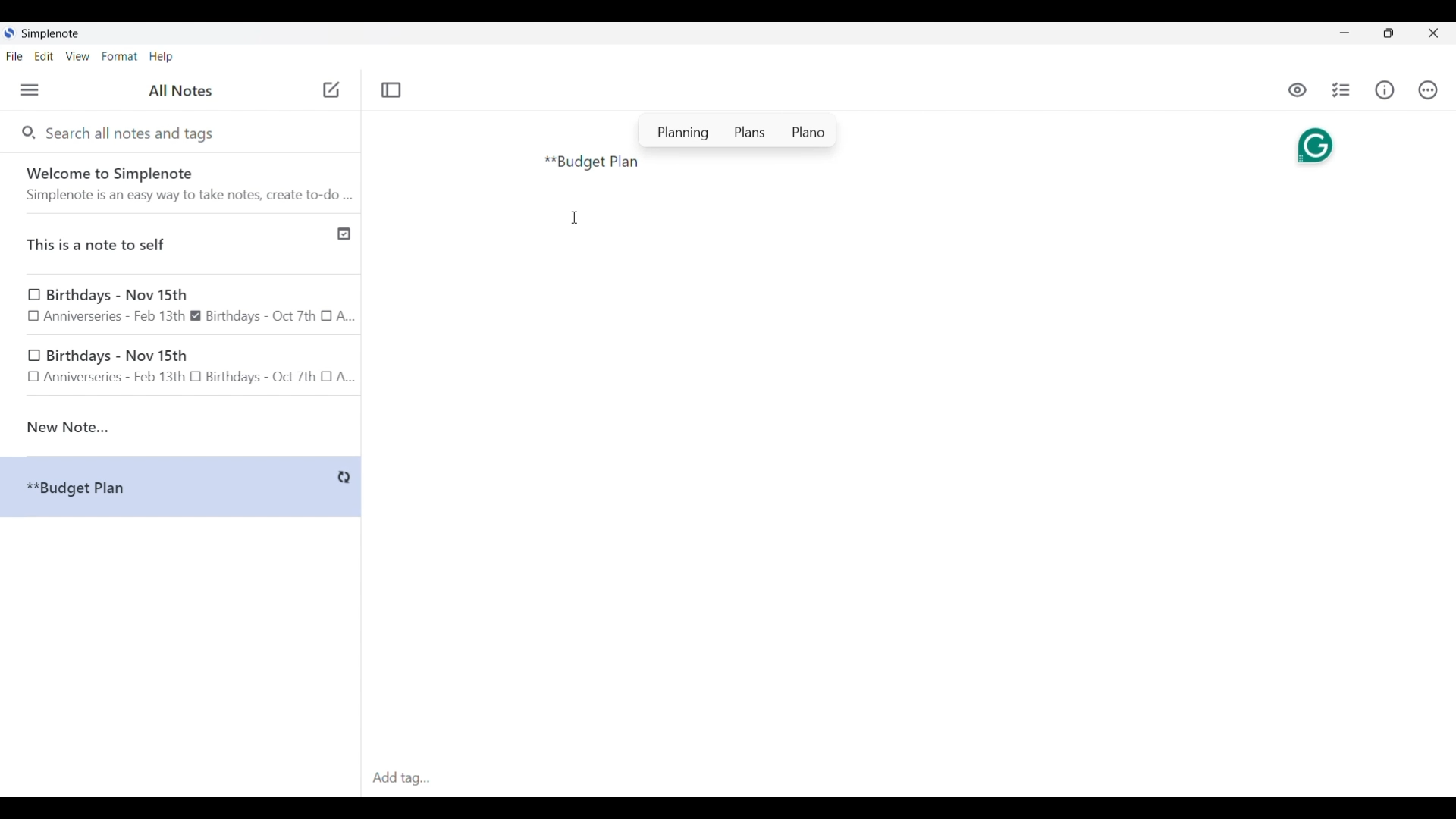 This screenshot has height=819, width=1456. What do you see at coordinates (182, 244) in the screenshot?
I see `Published note indicated by check icon` at bounding box center [182, 244].